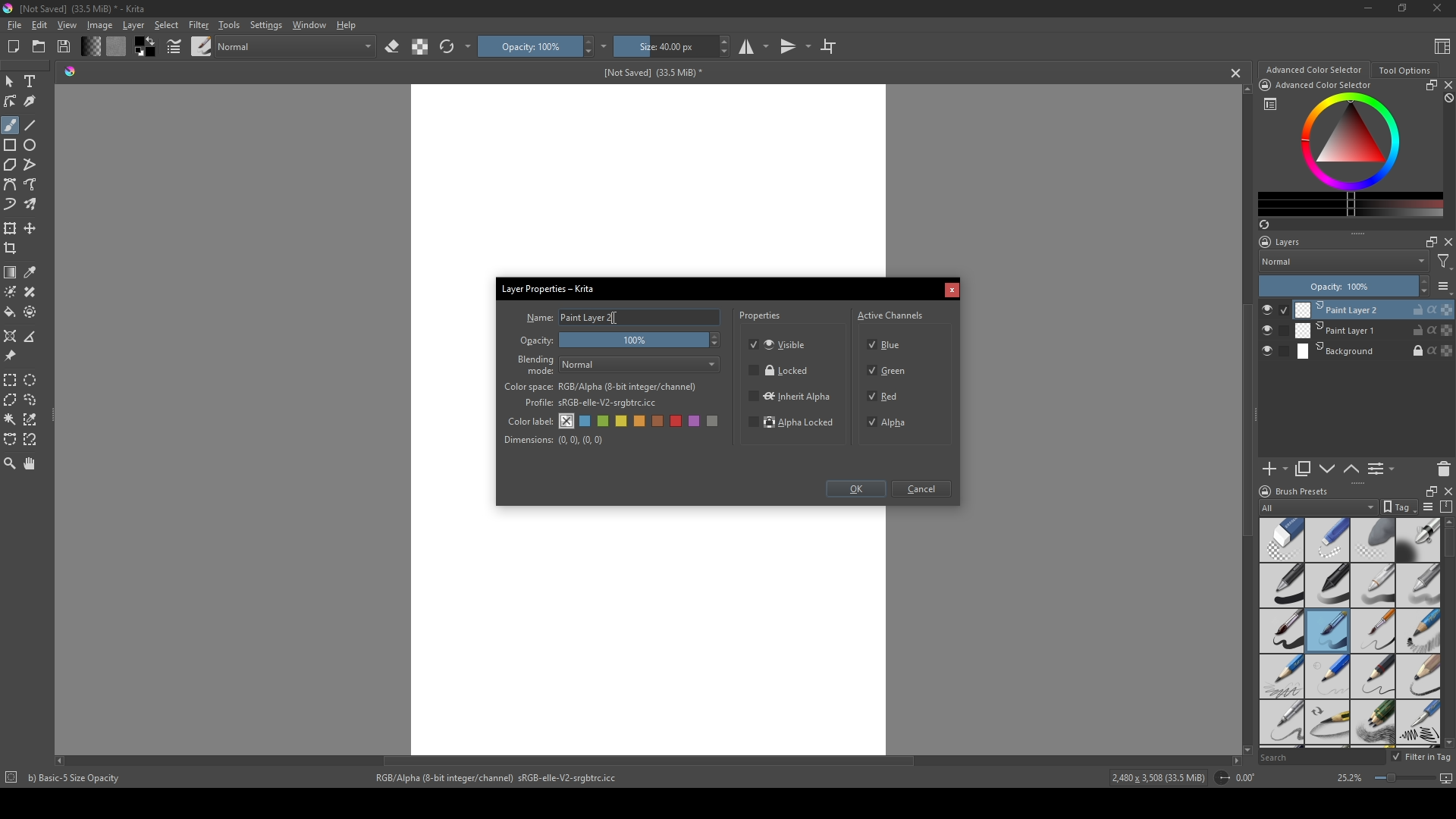 This screenshot has width=1456, height=819. Describe the element at coordinates (1428, 241) in the screenshot. I see `maximize` at that location.